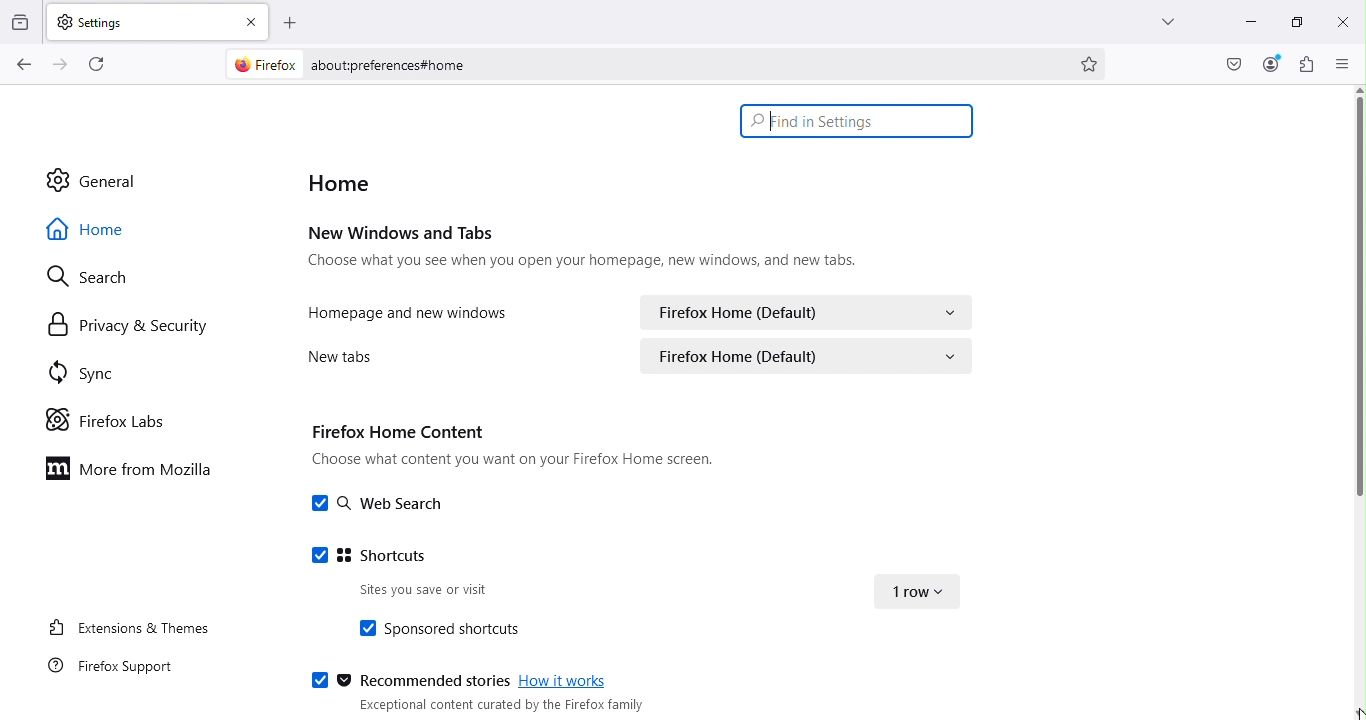 The height and width of the screenshot is (720, 1366). Describe the element at coordinates (499, 705) in the screenshot. I see `Exceptional content curated by firefox family` at that location.